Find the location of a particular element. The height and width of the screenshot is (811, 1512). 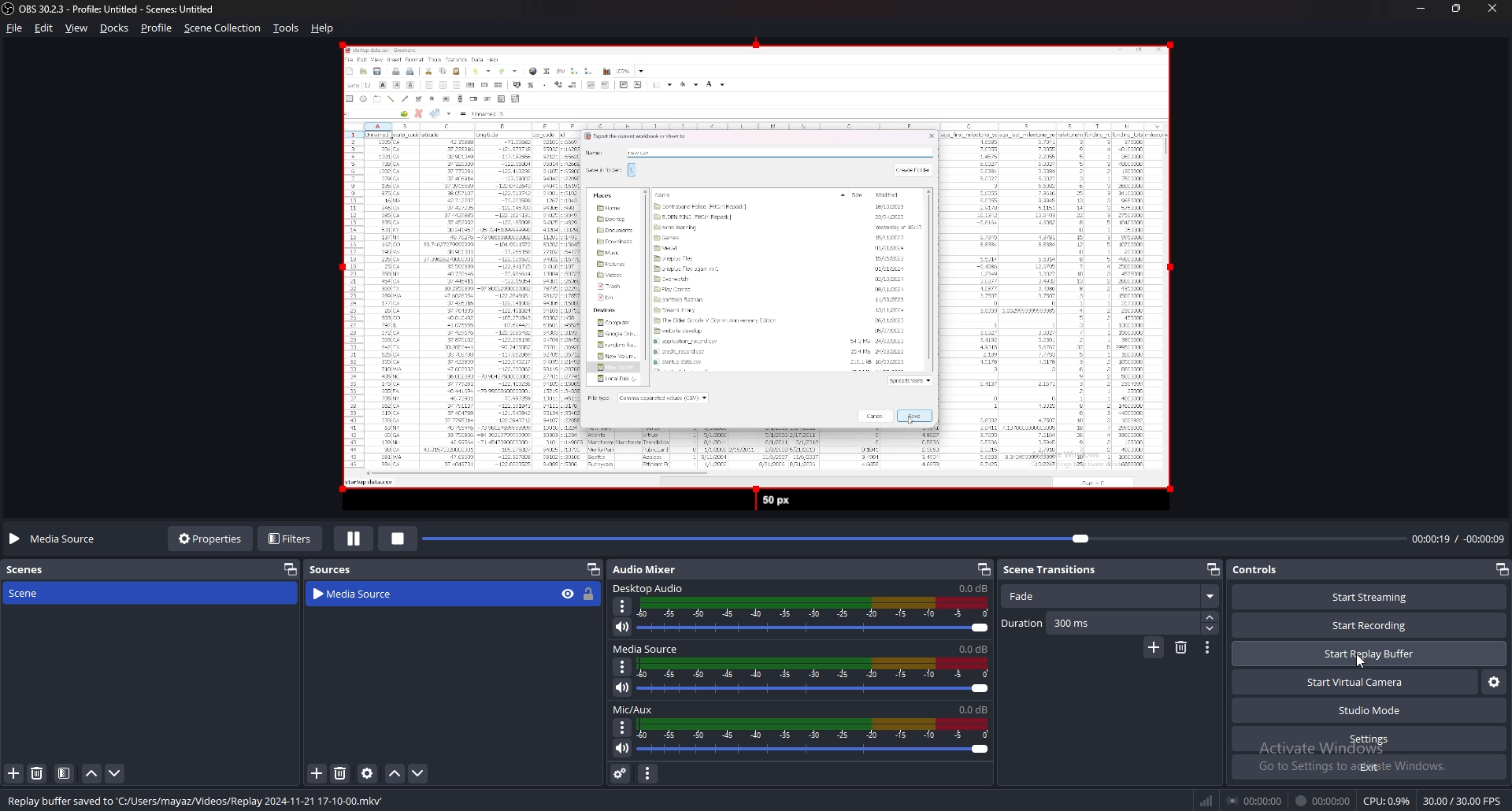

audio mixer menu is located at coordinates (647, 774).